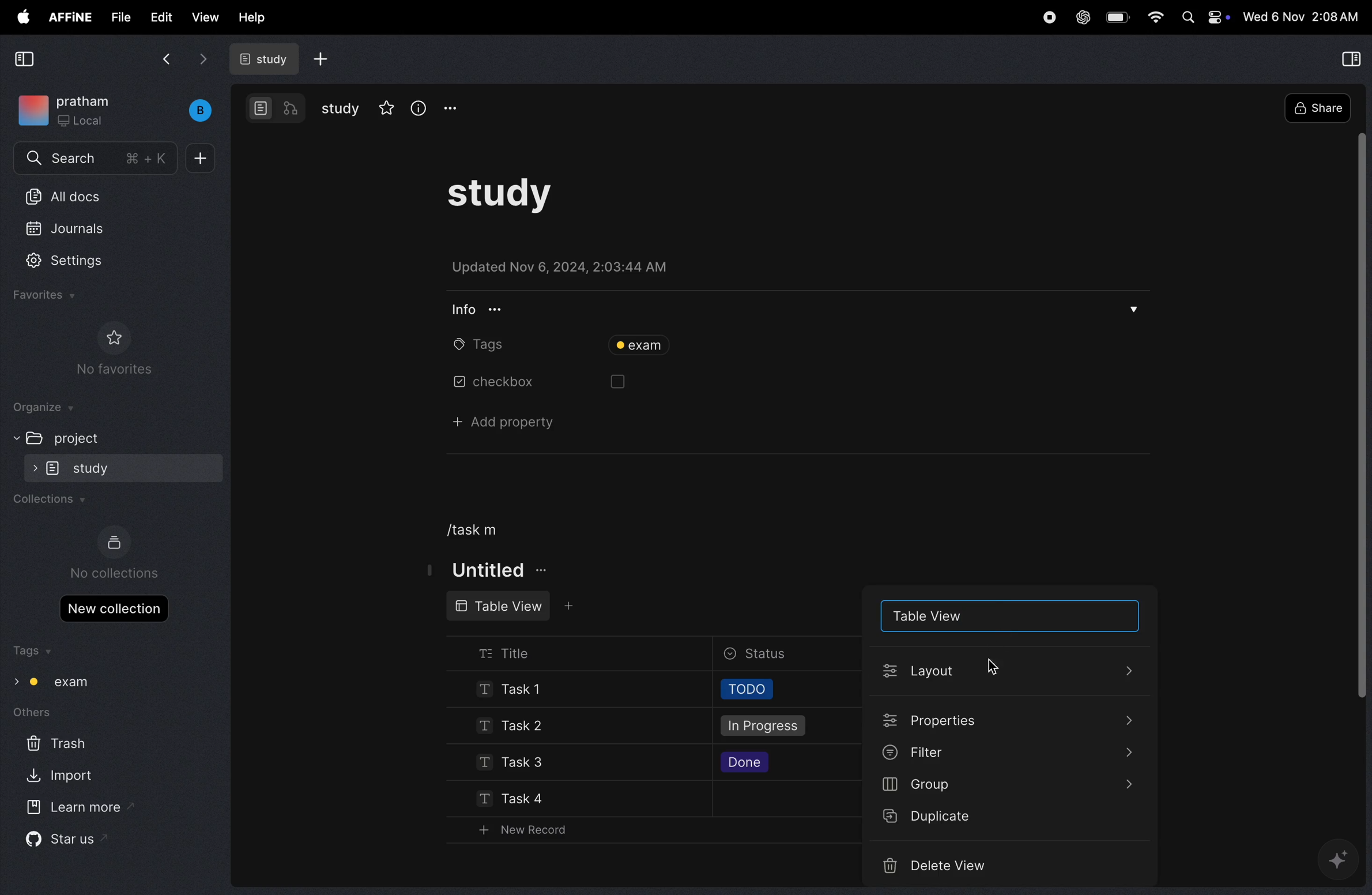 The width and height of the screenshot is (1372, 895). Describe the element at coordinates (499, 606) in the screenshot. I see `table view` at that location.